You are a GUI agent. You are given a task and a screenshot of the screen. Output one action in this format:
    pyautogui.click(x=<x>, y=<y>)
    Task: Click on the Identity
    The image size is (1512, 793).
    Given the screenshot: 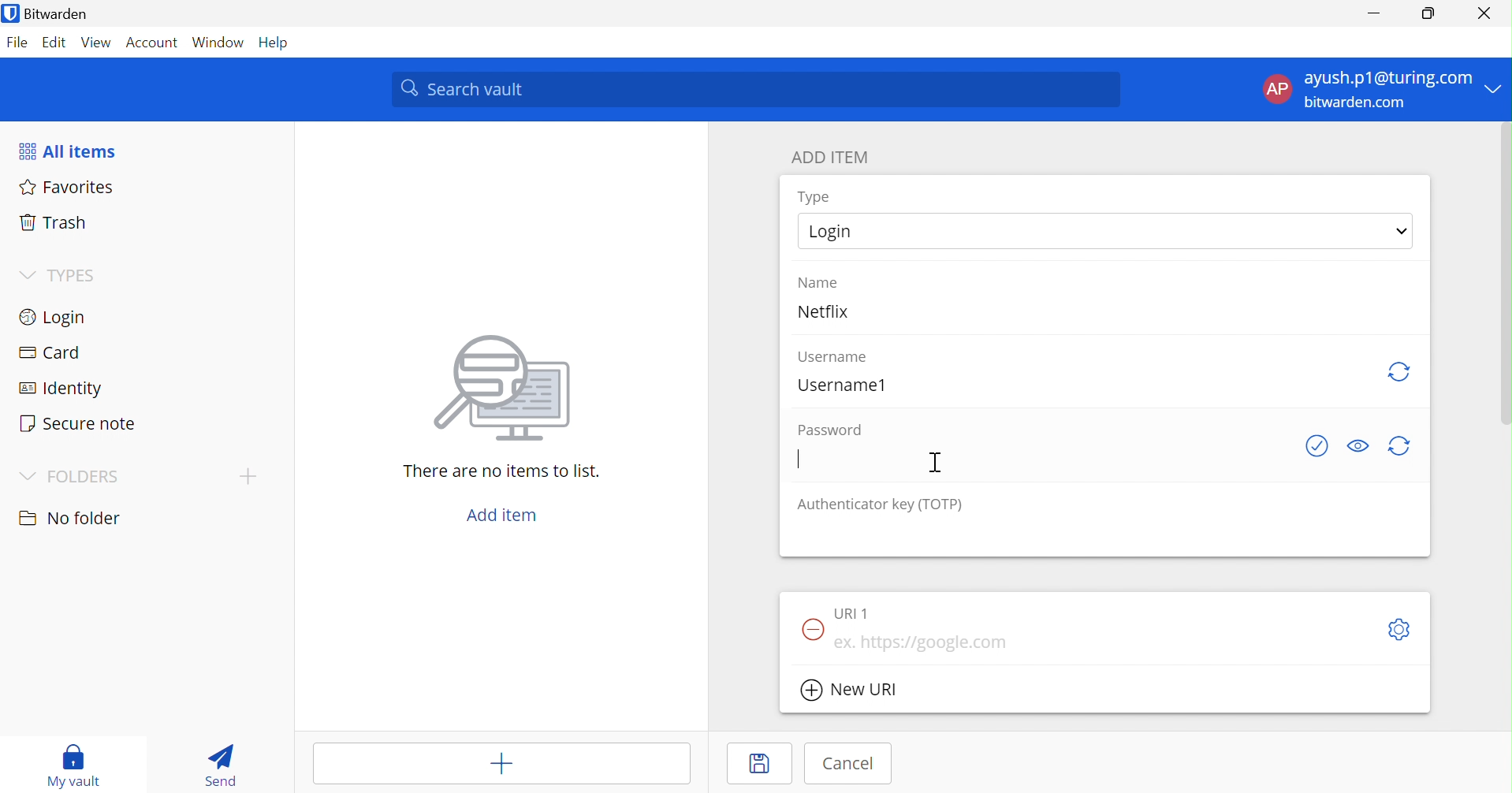 What is the action you would take?
    pyautogui.click(x=57, y=387)
    